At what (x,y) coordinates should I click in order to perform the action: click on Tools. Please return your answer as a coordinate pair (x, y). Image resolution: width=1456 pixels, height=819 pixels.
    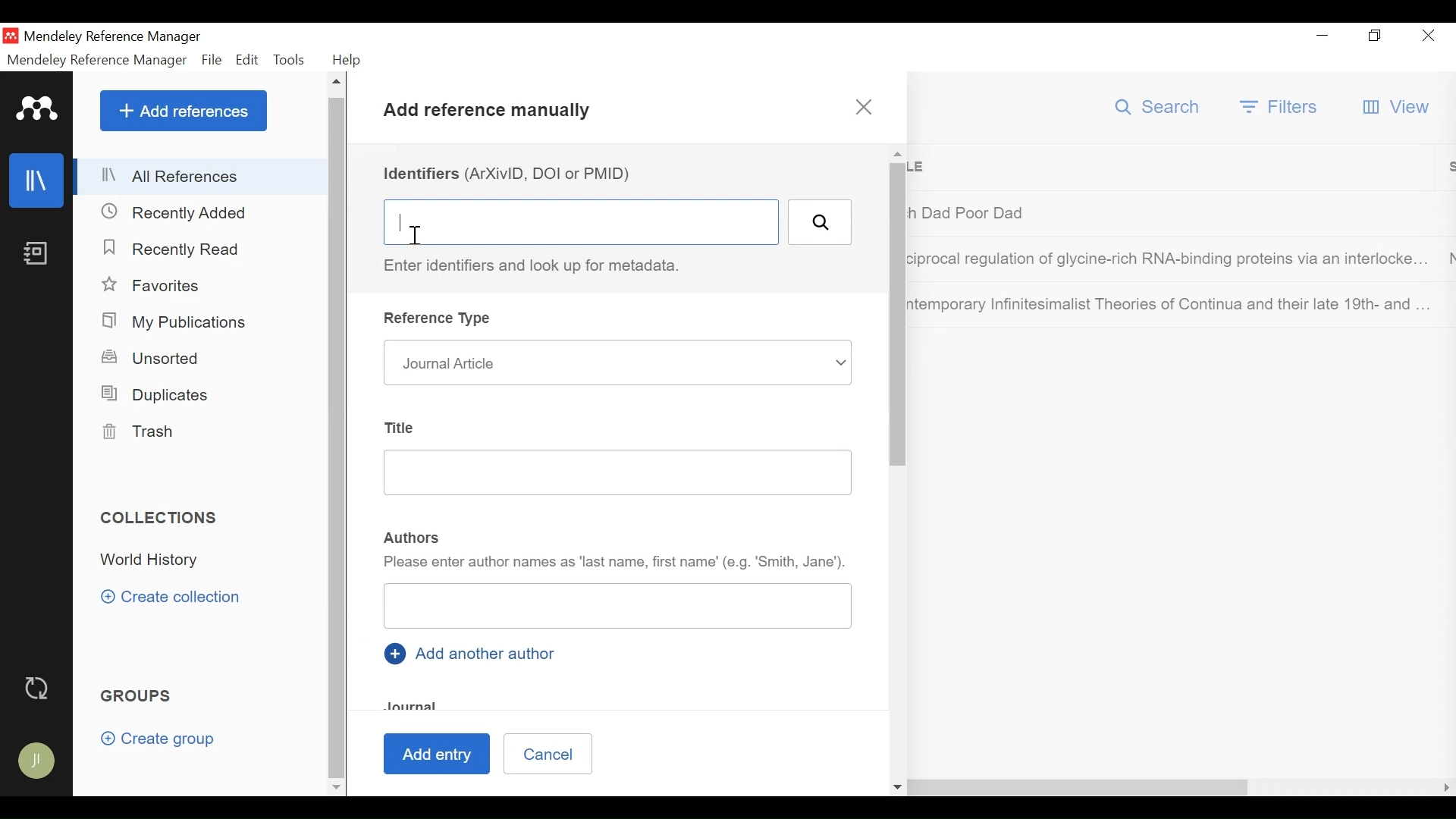
    Looking at the image, I should click on (292, 60).